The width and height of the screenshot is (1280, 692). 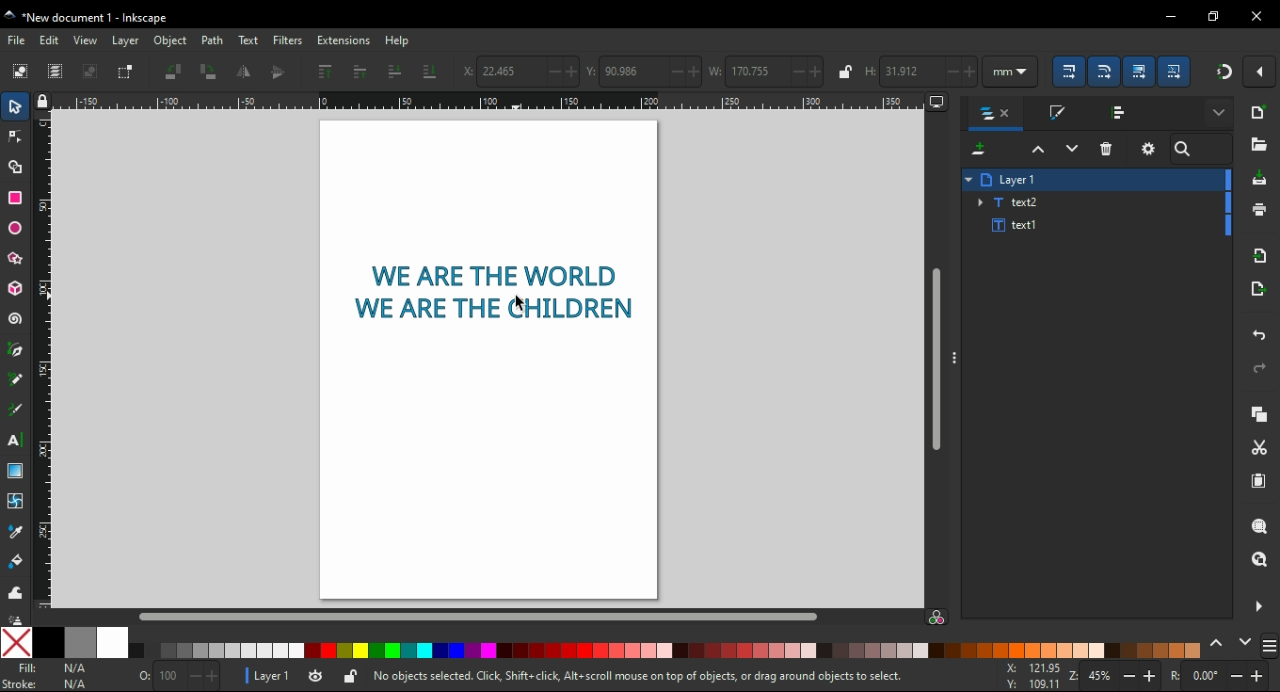 What do you see at coordinates (126, 41) in the screenshot?
I see `layer` at bounding box center [126, 41].